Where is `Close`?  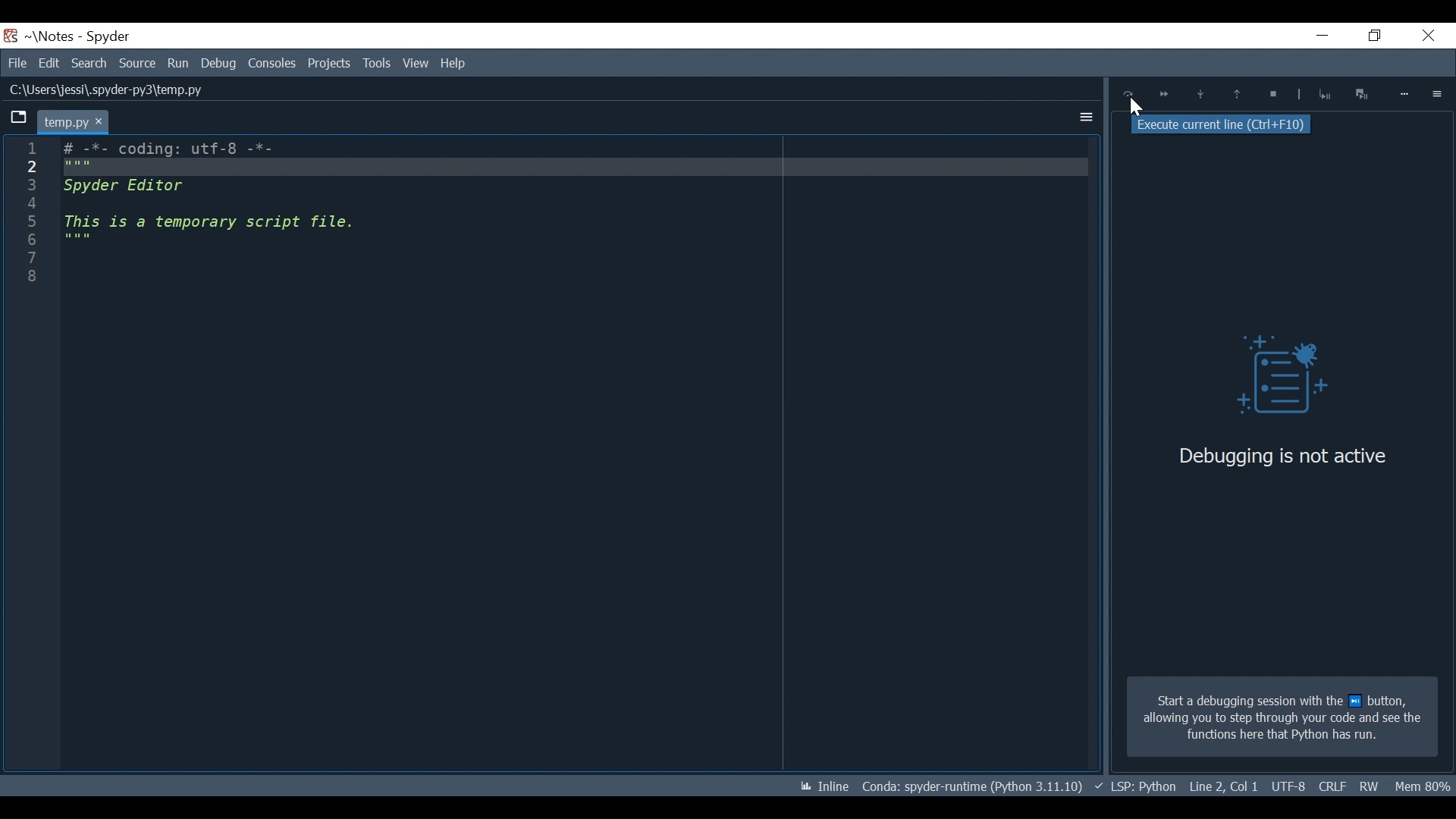
Close is located at coordinates (1425, 37).